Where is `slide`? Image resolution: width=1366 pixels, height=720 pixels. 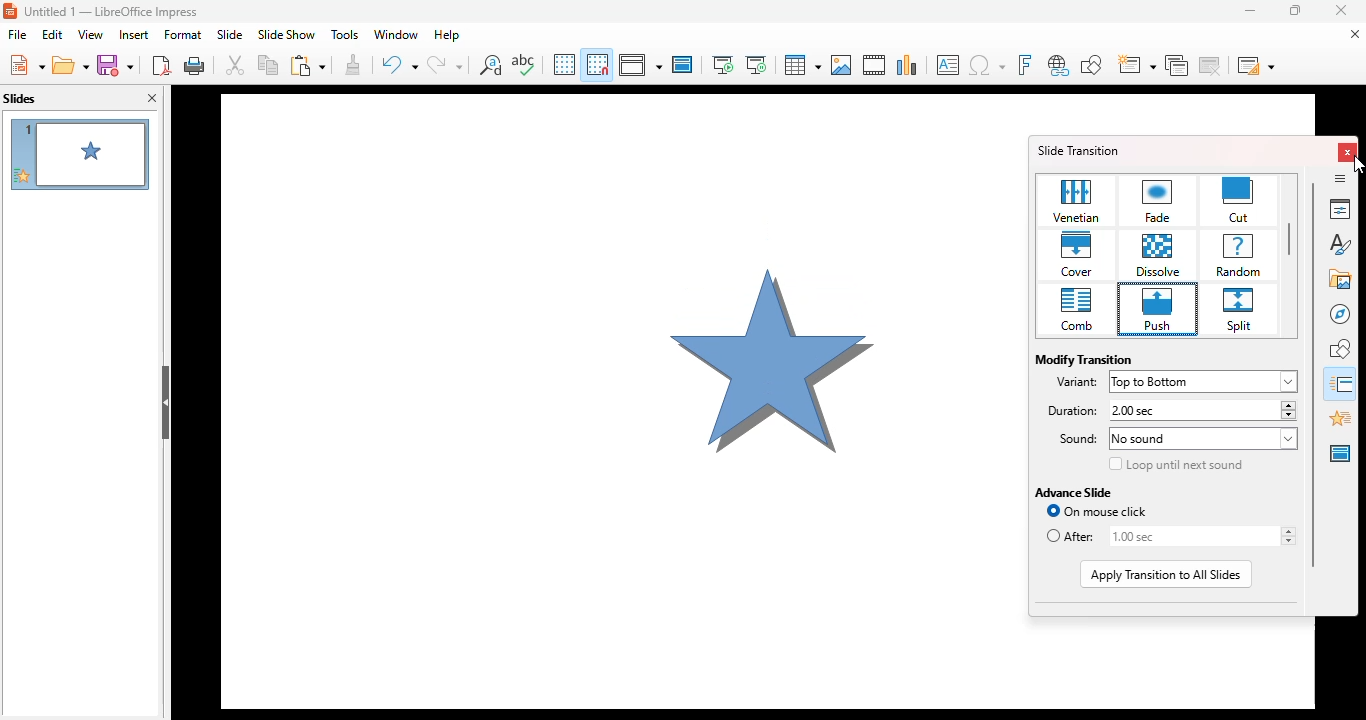 slide is located at coordinates (229, 35).